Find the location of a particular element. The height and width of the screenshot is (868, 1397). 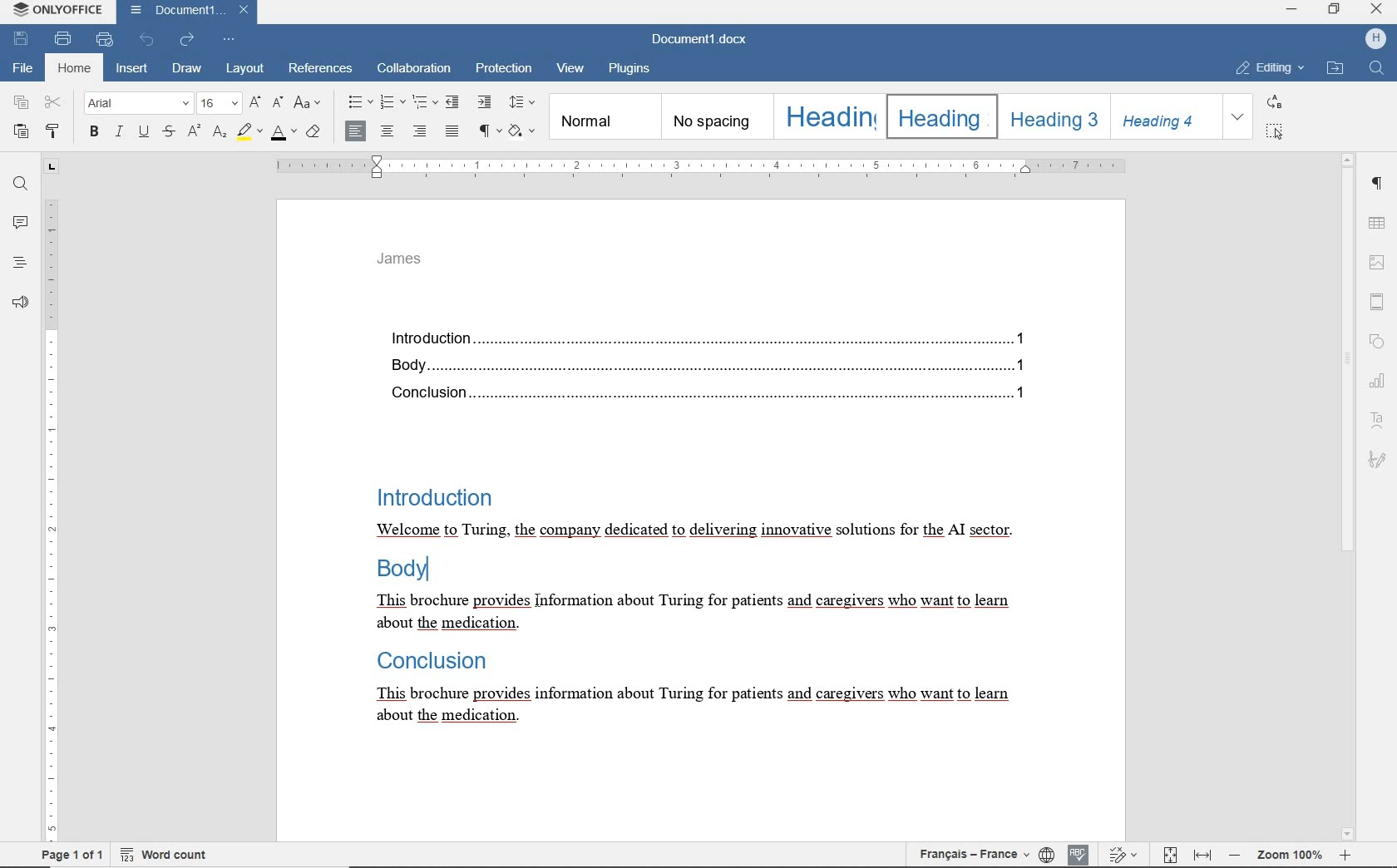

NUMBERING is located at coordinates (391, 103).